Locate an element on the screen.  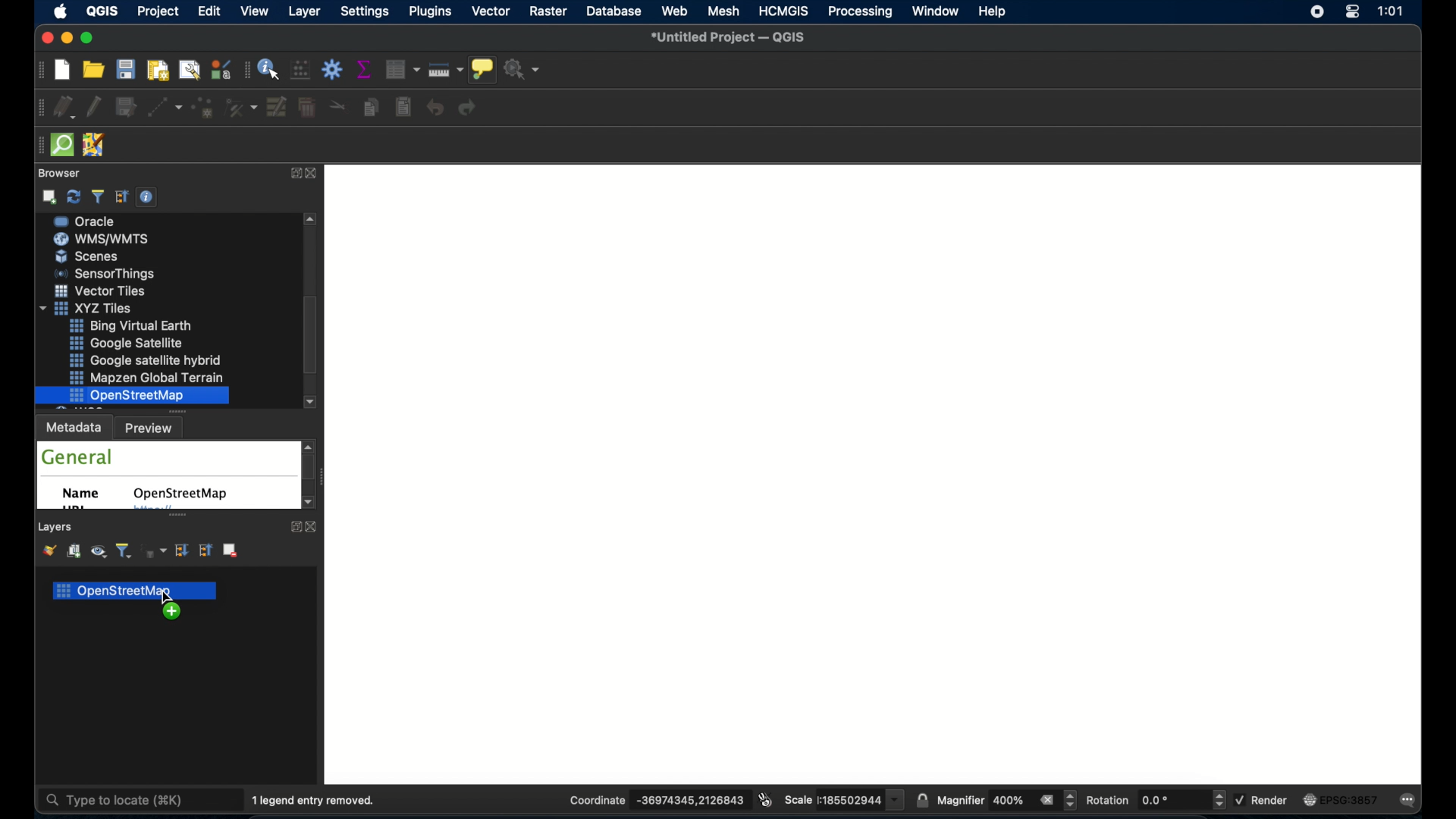
collapse all is located at coordinates (205, 551).